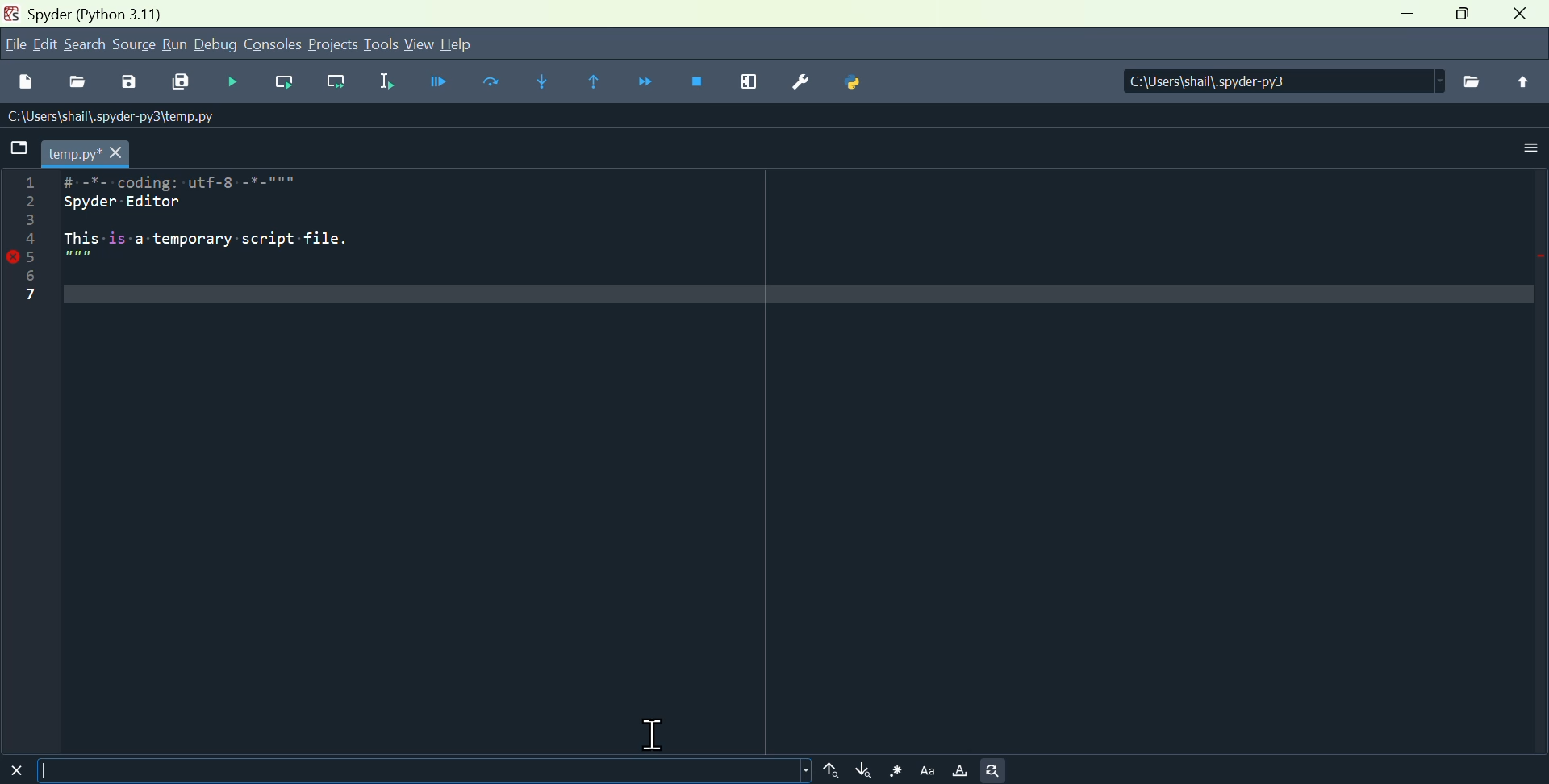 The width and height of the screenshot is (1549, 784). Describe the element at coordinates (649, 81) in the screenshot. I see `Continue execution until next function` at that location.